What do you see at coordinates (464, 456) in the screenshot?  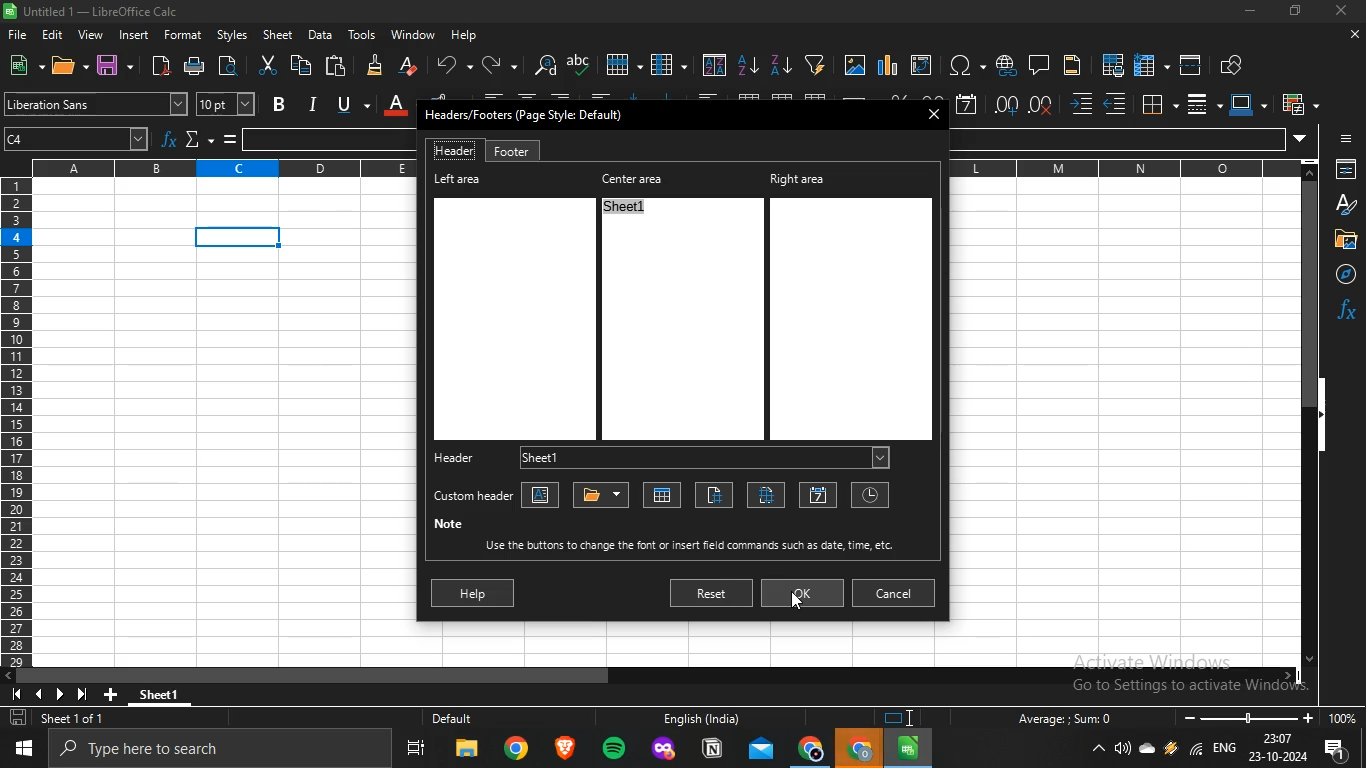 I see `header` at bounding box center [464, 456].